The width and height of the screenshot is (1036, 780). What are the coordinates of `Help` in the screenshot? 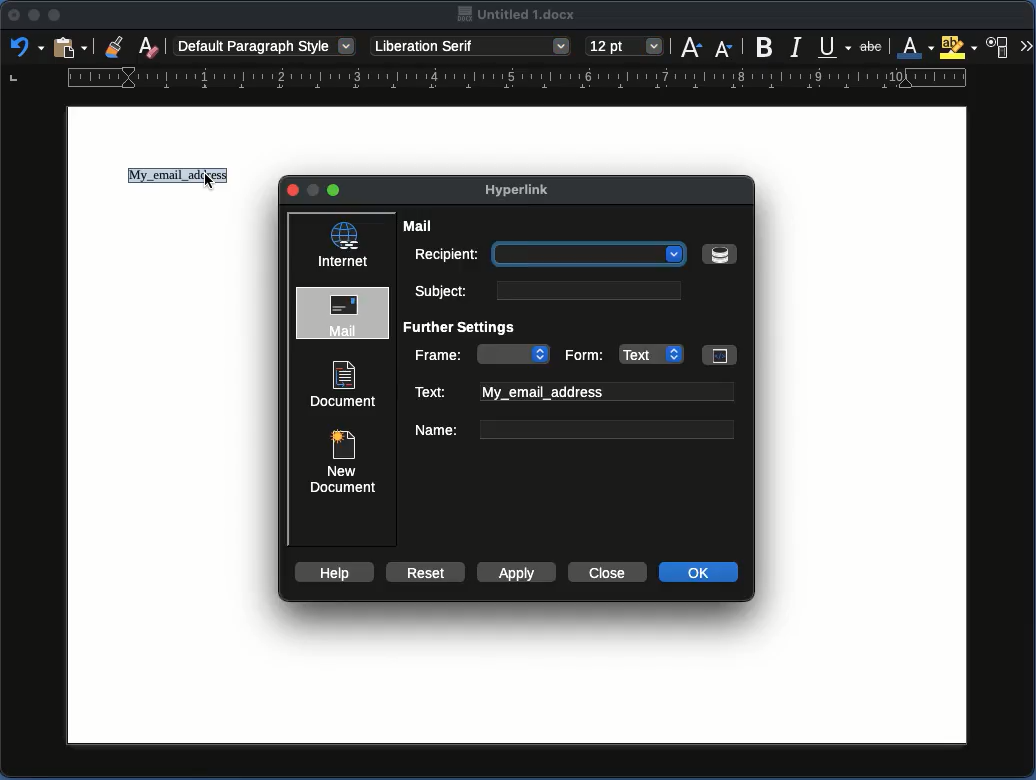 It's located at (333, 572).